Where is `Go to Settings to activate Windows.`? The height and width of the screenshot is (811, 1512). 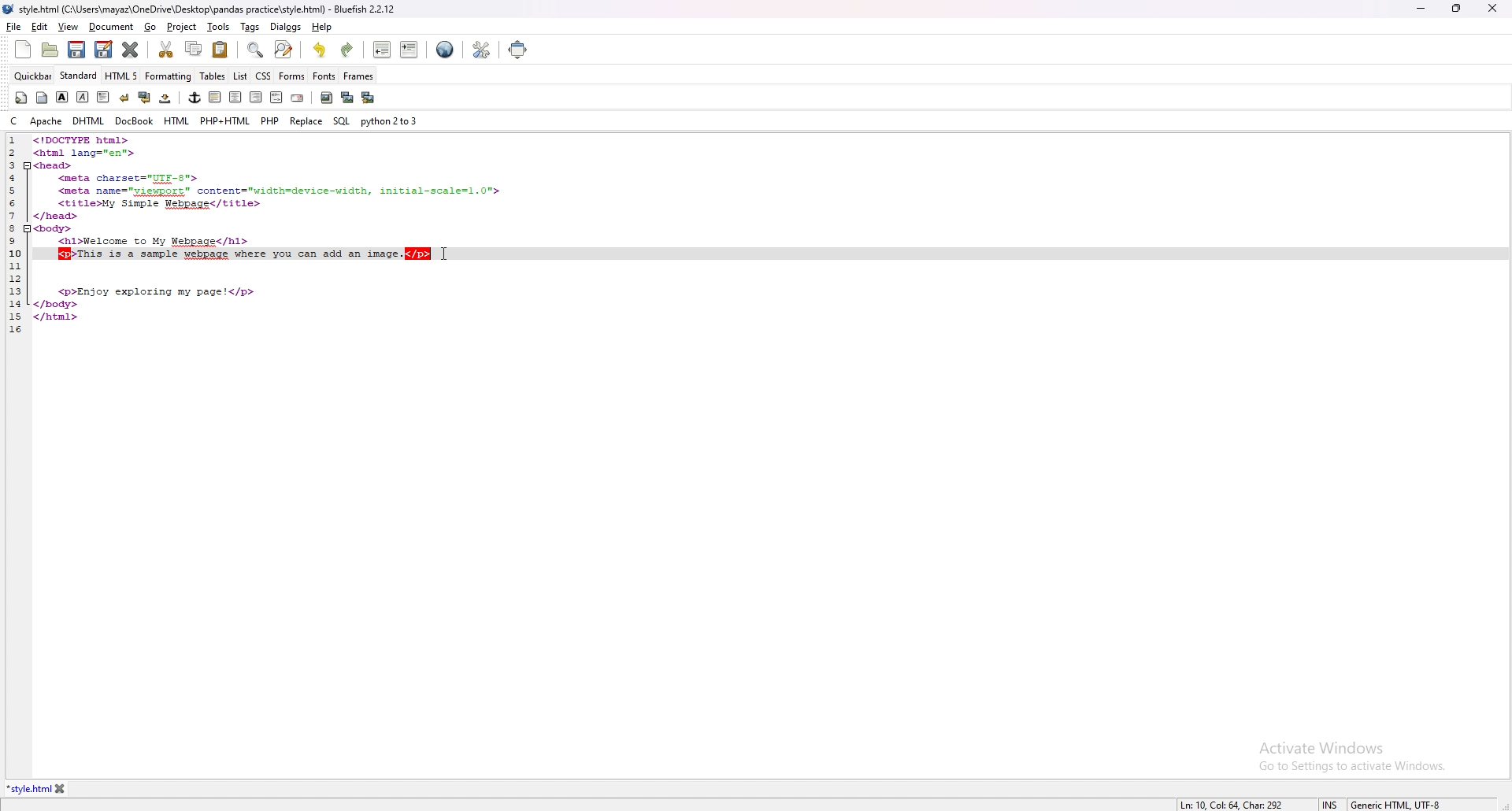
Go to Settings to activate Windows. is located at coordinates (1352, 765).